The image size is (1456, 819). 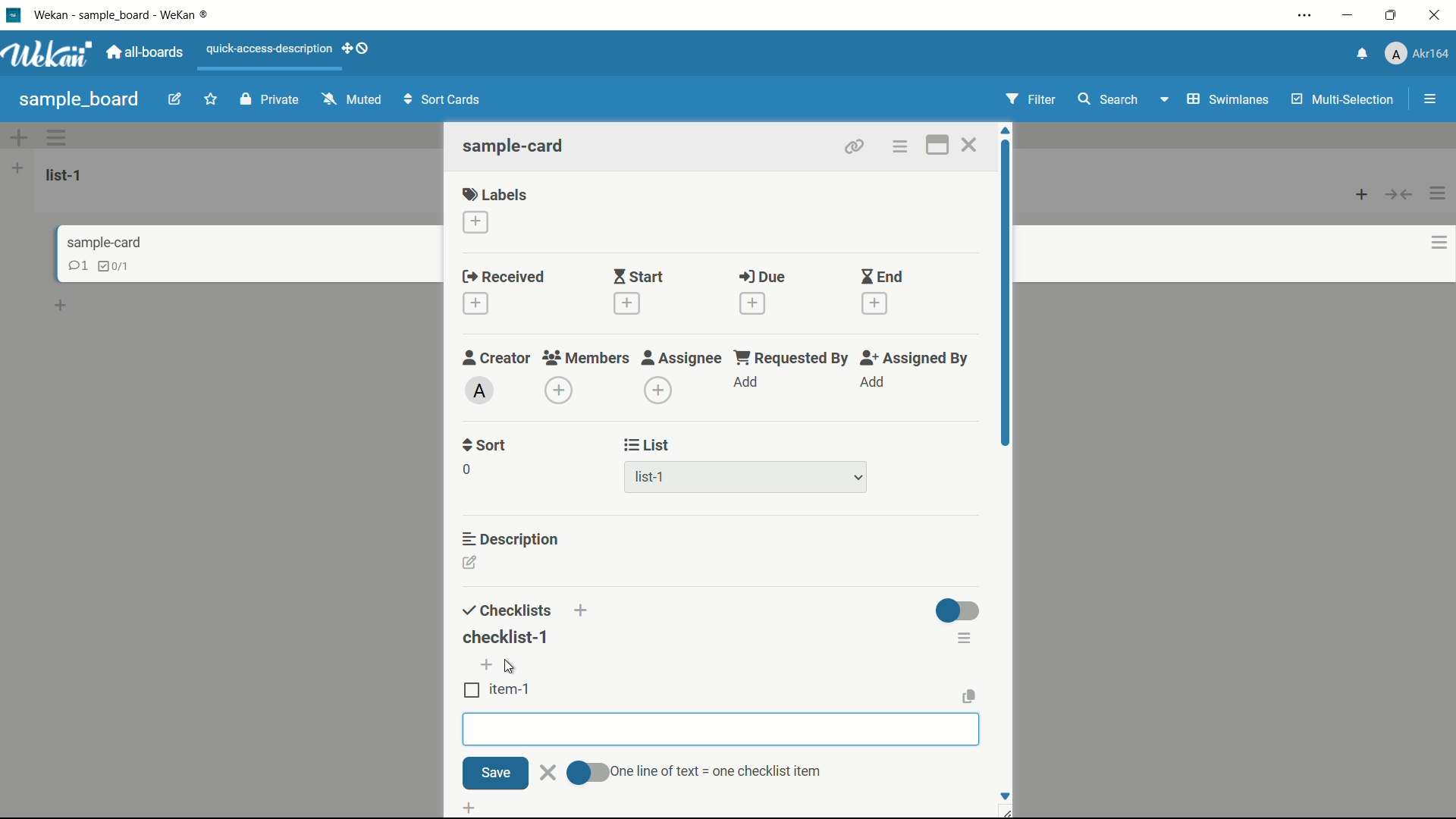 What do you see at coordinates (18, 170) in the screenshot?
I see `add list` at bounding box center [18, 170].